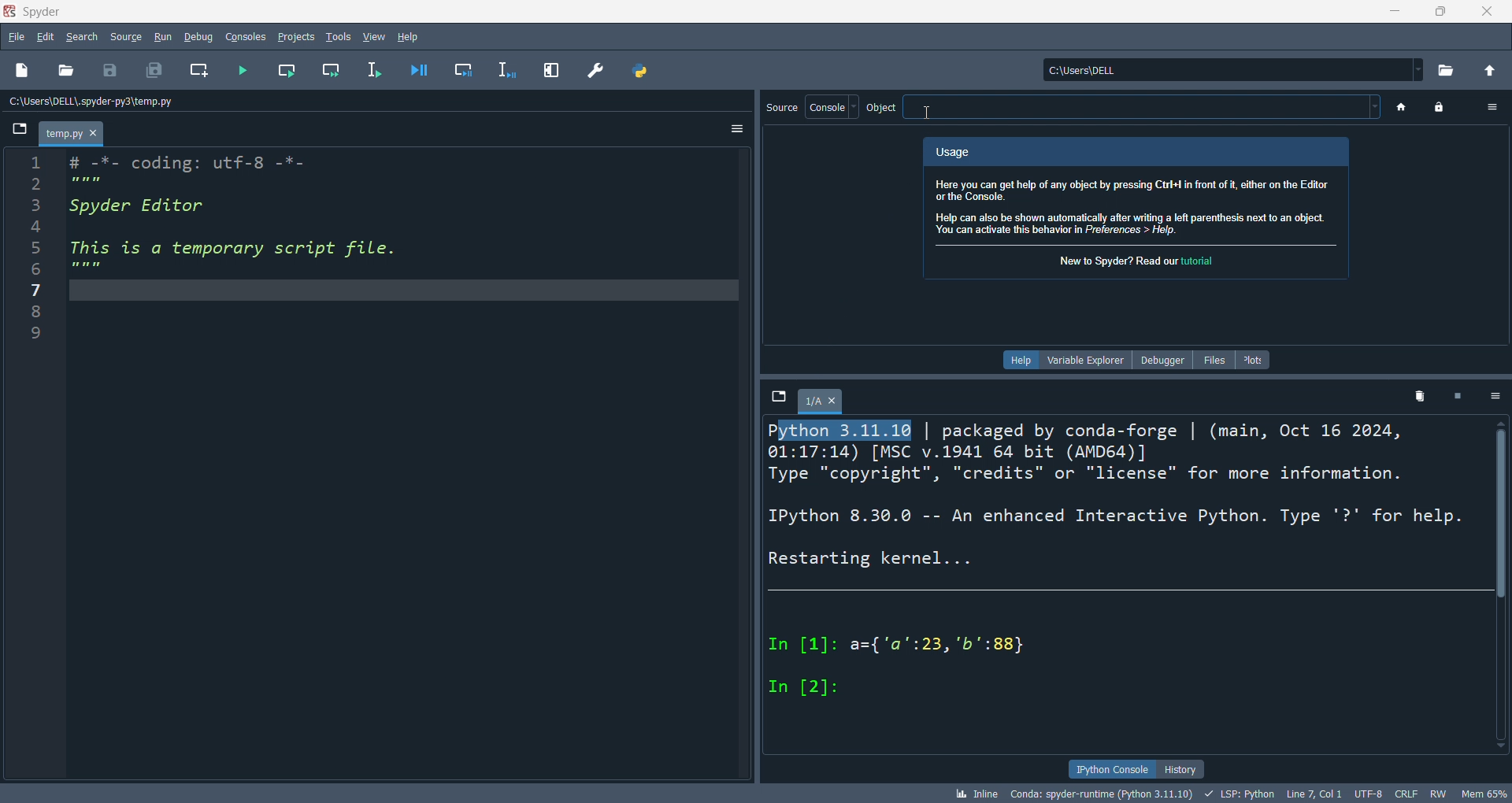 The width and height of the screenshot is (1512, 803). What do you see at coordinates (1136, 205) in the screenshot?
I see `Here you can get help of any object by pressing Ctri+ in front of i, either on the Editor
orthe Console.

Help can also be shown automatically after writing a left parenthesis next to an object.
You can activate this behavior in Preferences > Help.` at bounding box center [1136, 205].